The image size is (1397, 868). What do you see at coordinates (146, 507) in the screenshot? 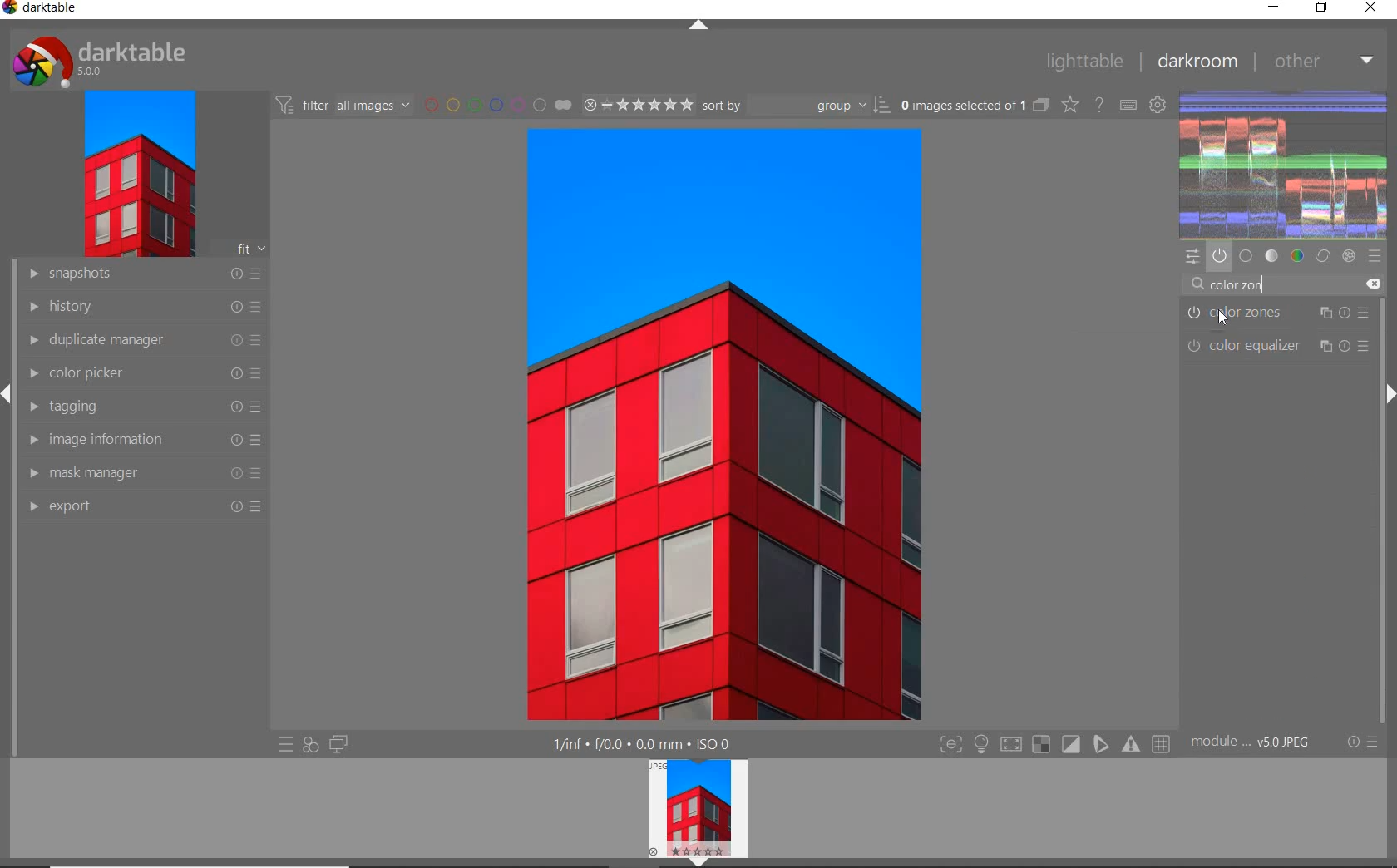
I see `export` at bounding box center [146, 507].